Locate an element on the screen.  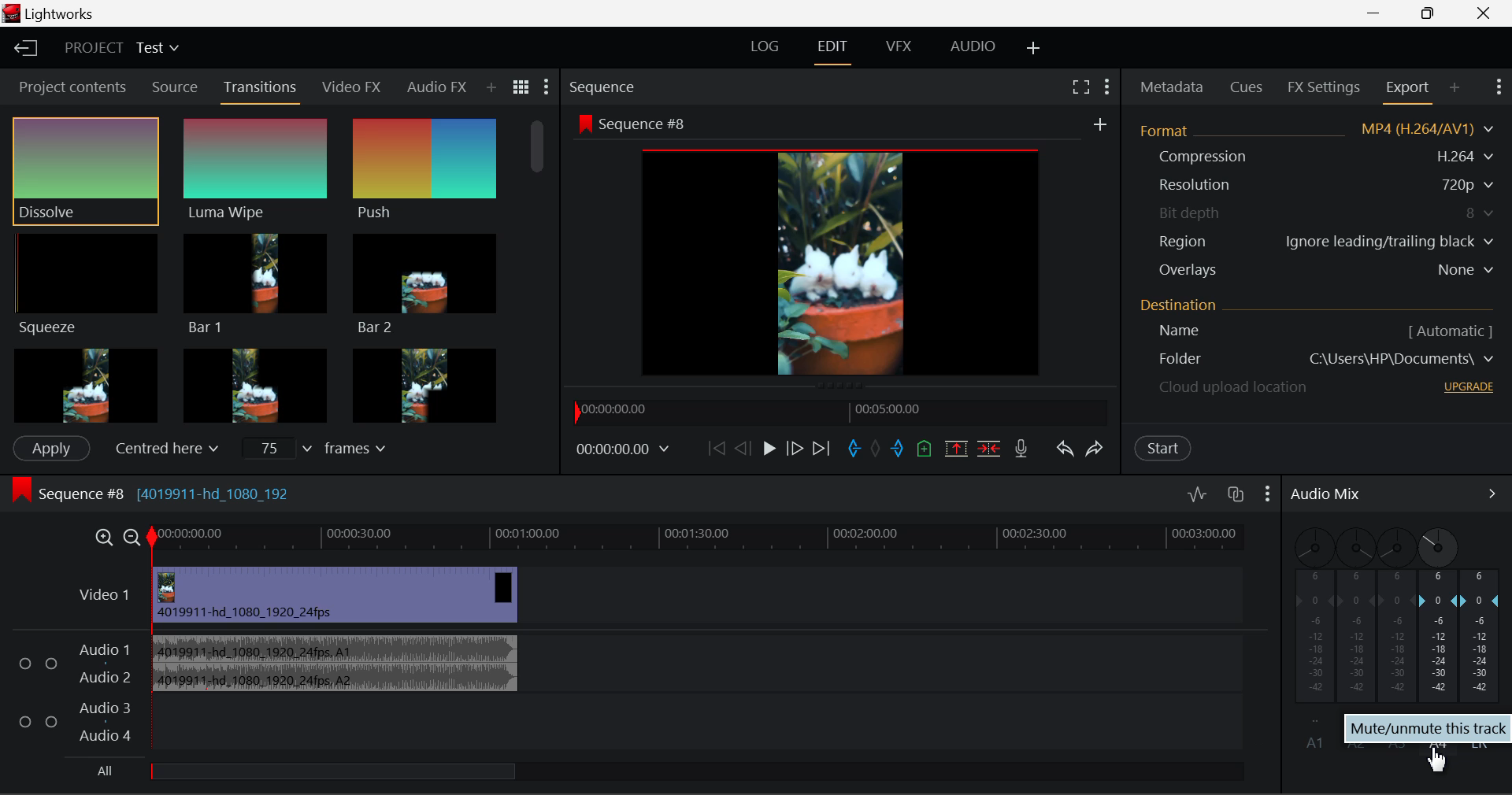
Add Panel is located at coordinates (1452, 87).